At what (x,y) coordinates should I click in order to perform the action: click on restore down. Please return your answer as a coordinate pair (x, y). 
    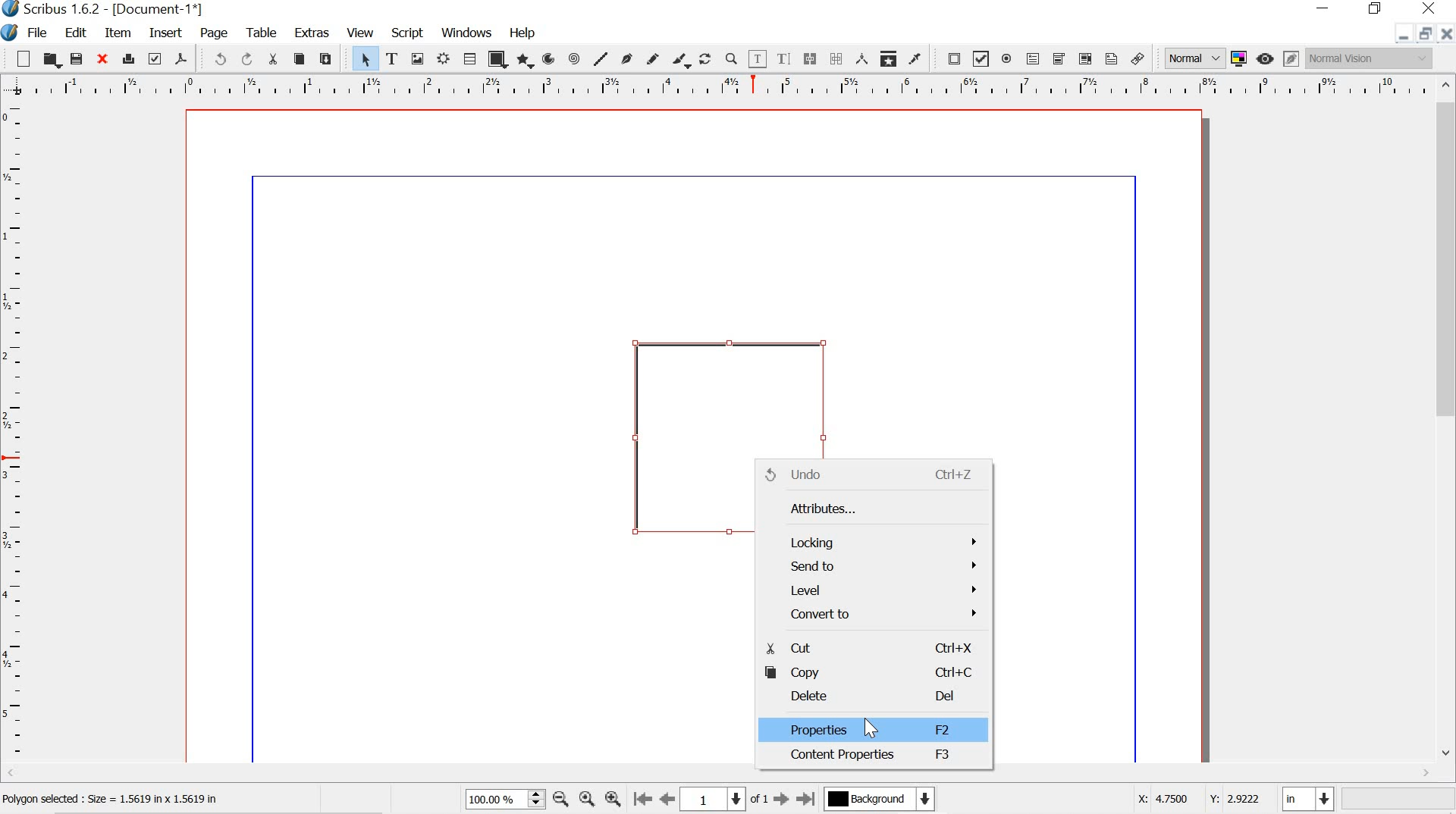
    Looking at the image, I should click on (1376, 9).